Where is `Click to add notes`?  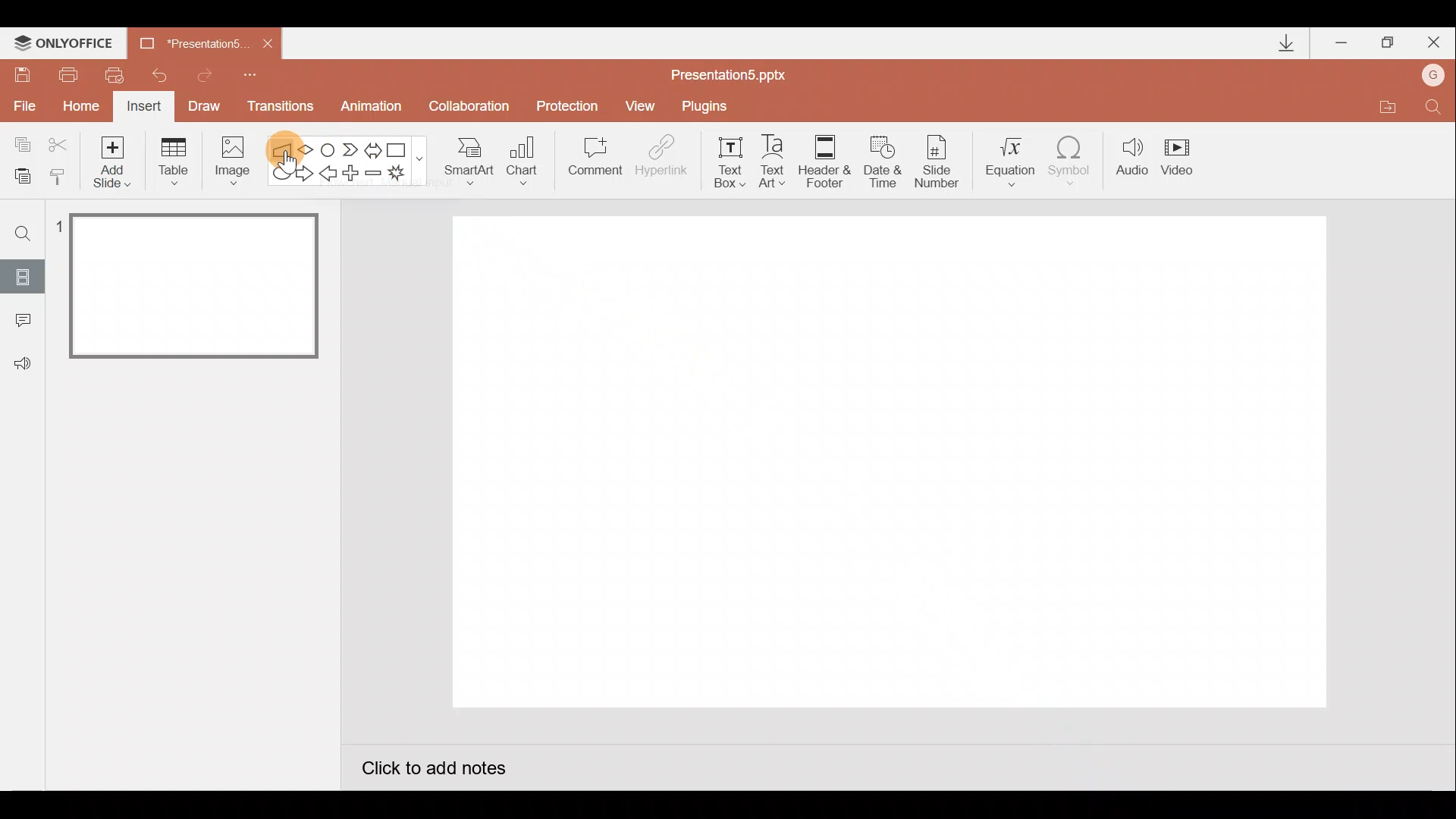
Click to add notes is located at coordinates (432, 770).